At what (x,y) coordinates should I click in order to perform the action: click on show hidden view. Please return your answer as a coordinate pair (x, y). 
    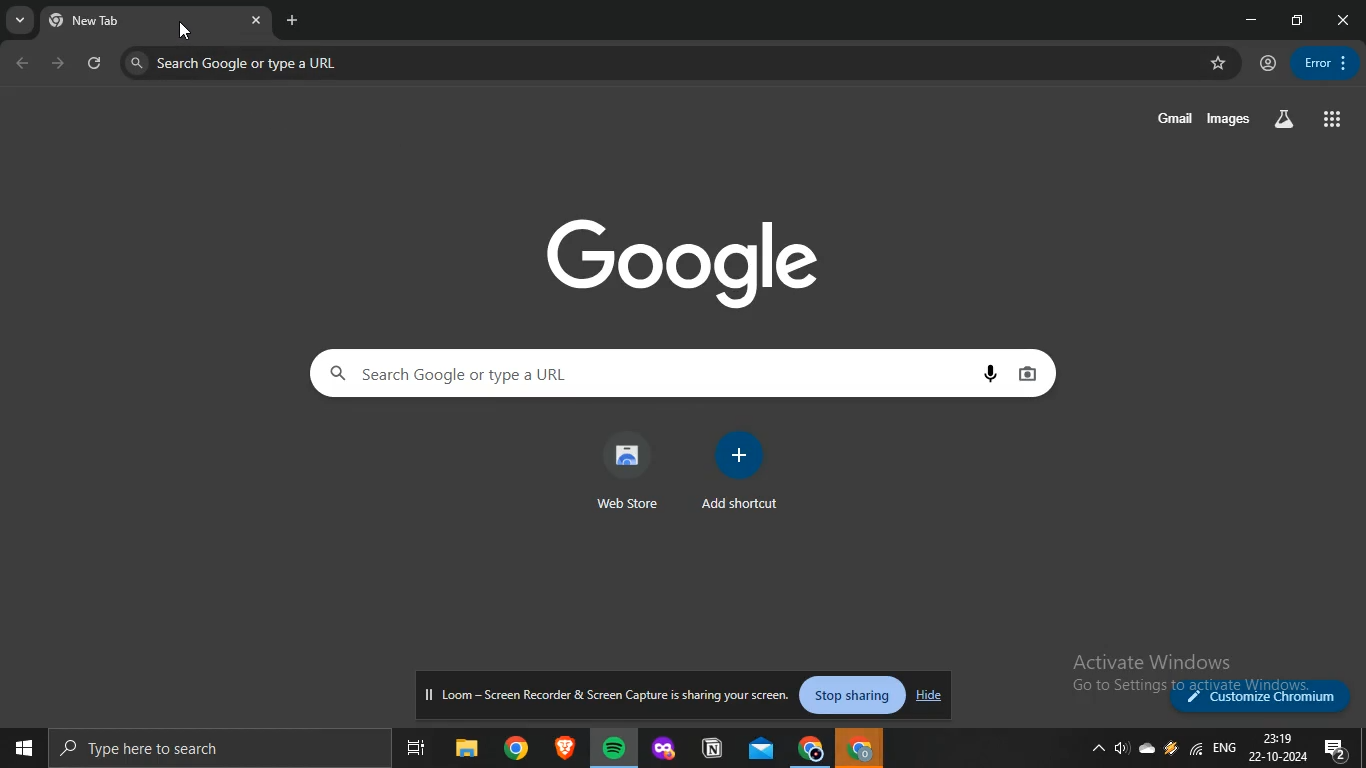
    Looking at the image, I should click on (1095, 750).